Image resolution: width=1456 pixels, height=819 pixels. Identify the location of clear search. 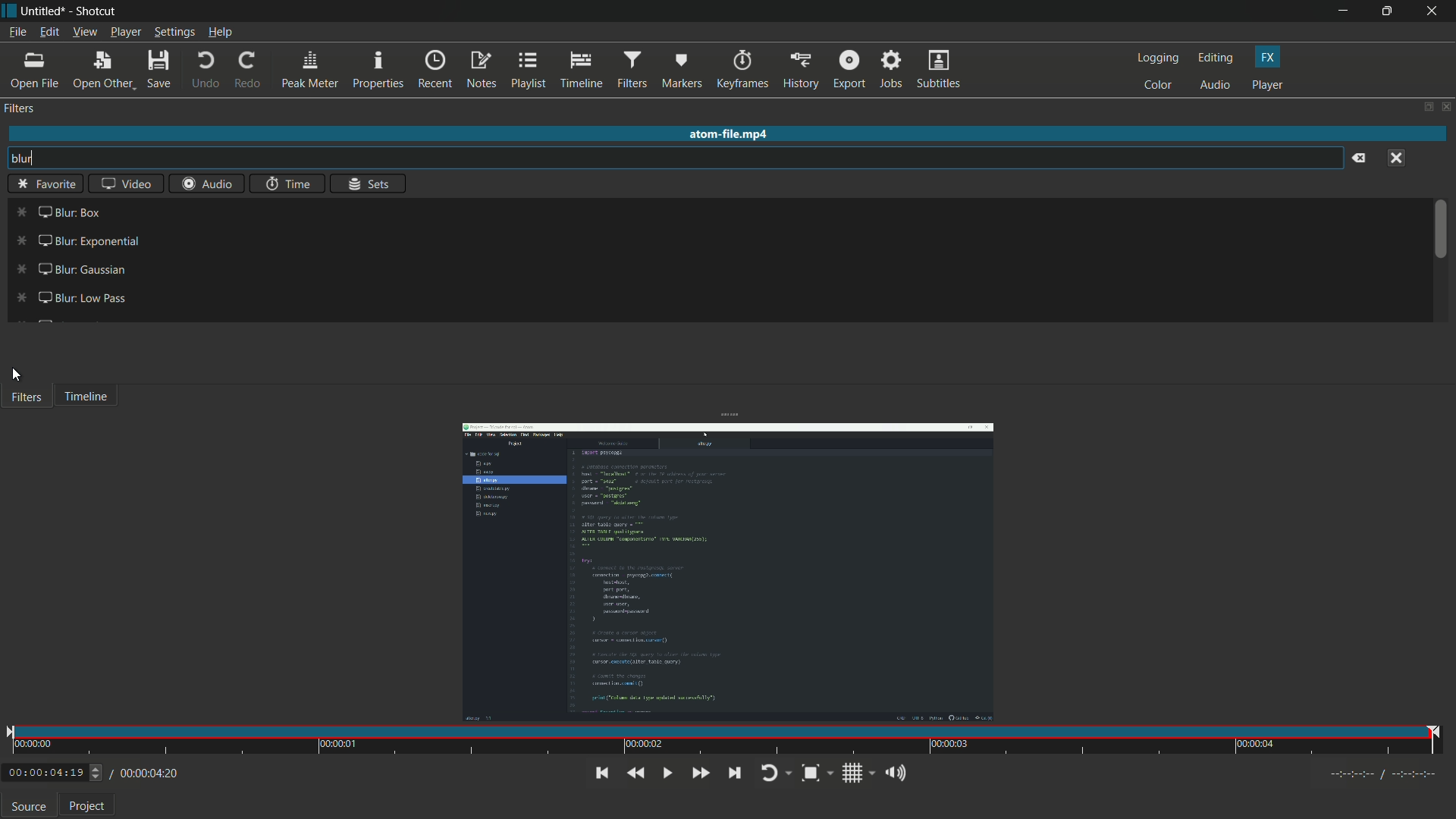
(1360, 158).